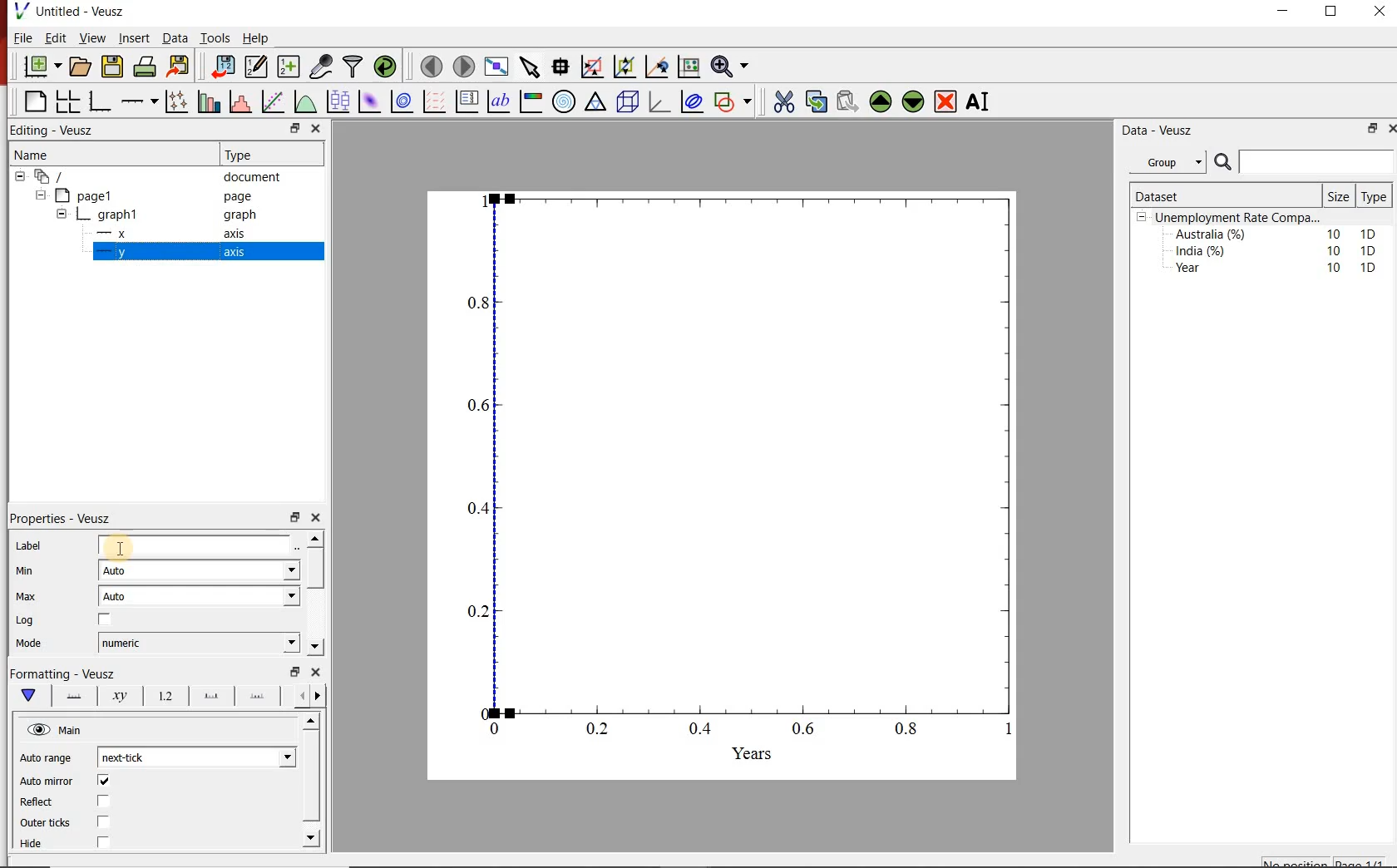 This screenshot has height=868, width=1397. What do you see at coordinates (101, 101) in the screenshot?
I see `base graphs` at bounding box center [101, 101].